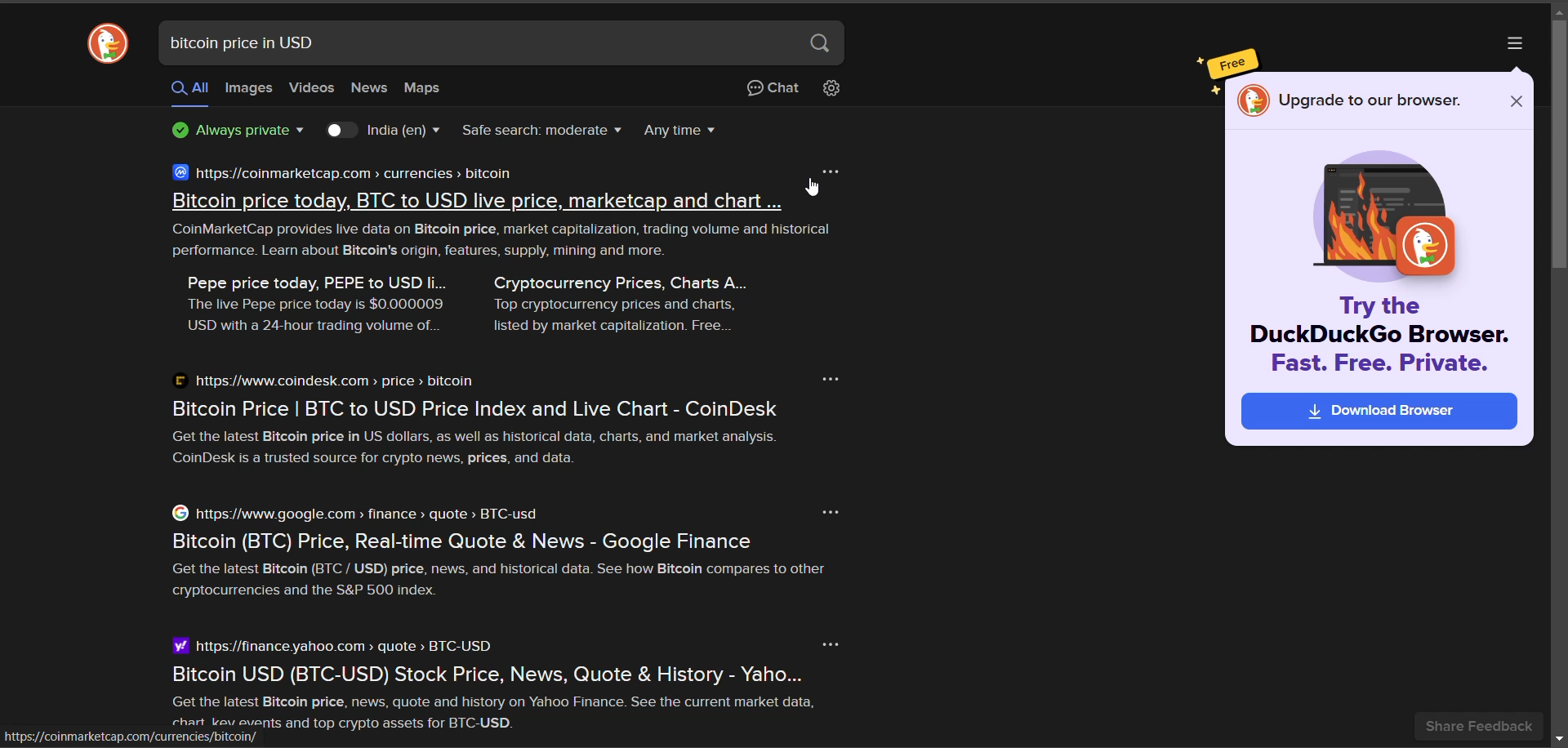  Describe the element at coordinates (834, 168) in the screenshot. I see `more option` at that location.